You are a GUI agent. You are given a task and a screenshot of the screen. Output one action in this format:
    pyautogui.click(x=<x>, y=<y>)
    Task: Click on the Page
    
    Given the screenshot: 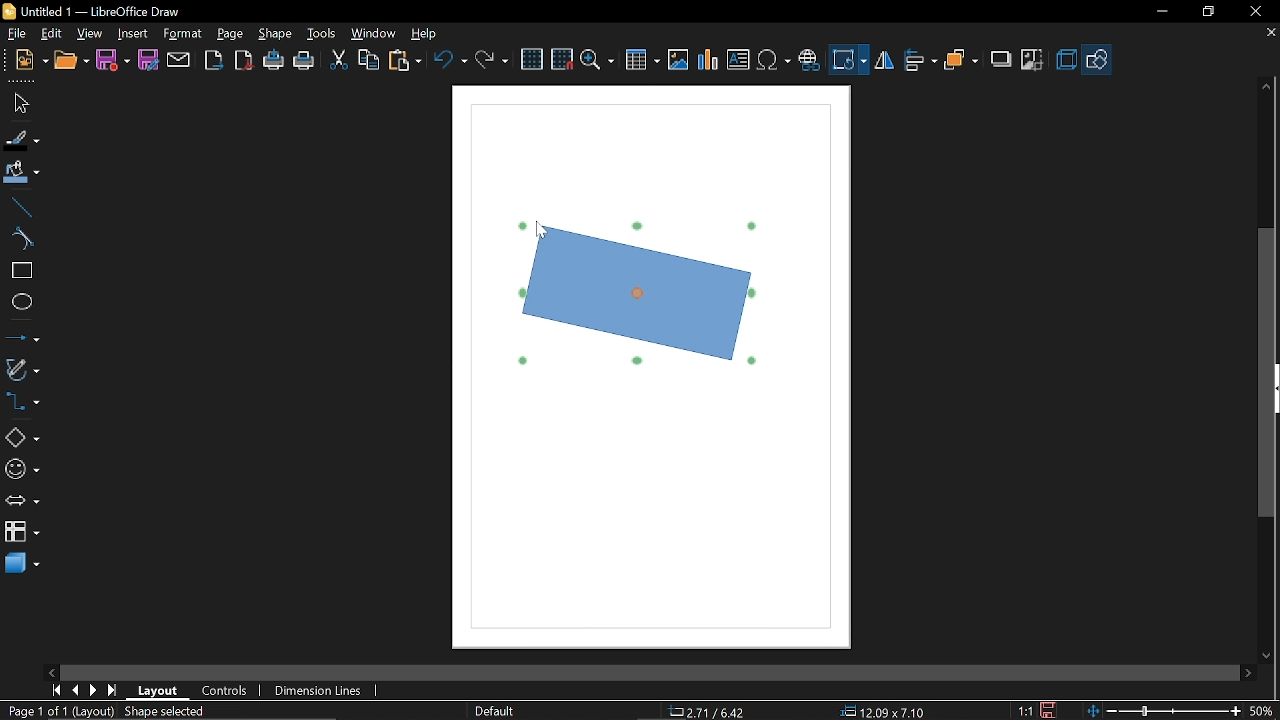 What is the action you would take?
    pyautogui.click(x=230, y=34)
    